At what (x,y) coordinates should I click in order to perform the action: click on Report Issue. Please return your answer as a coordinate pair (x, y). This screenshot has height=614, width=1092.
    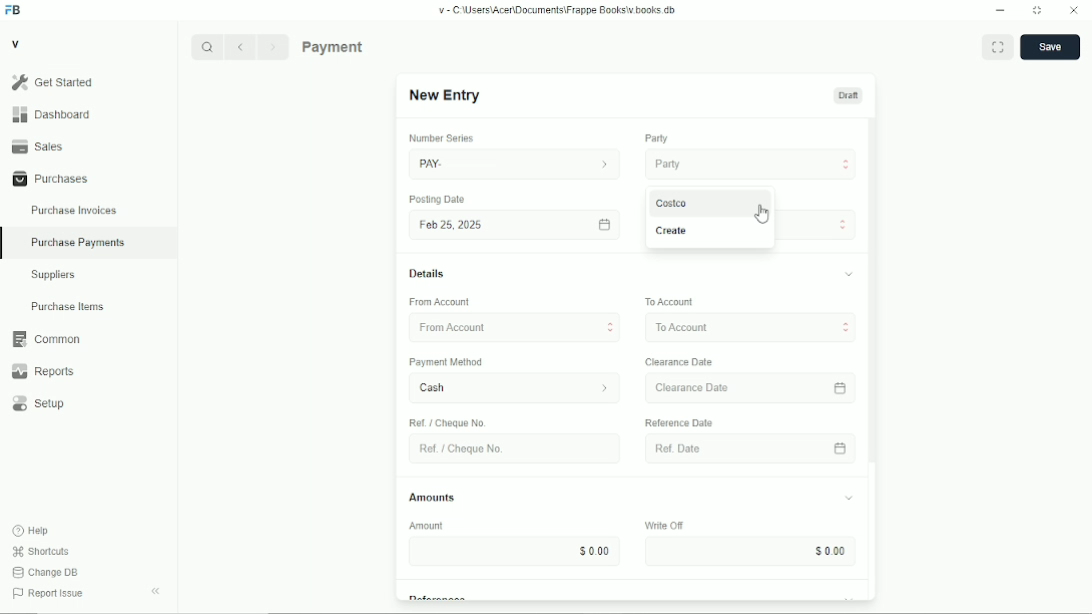
    Looking at the image, I should click on (49, 593).